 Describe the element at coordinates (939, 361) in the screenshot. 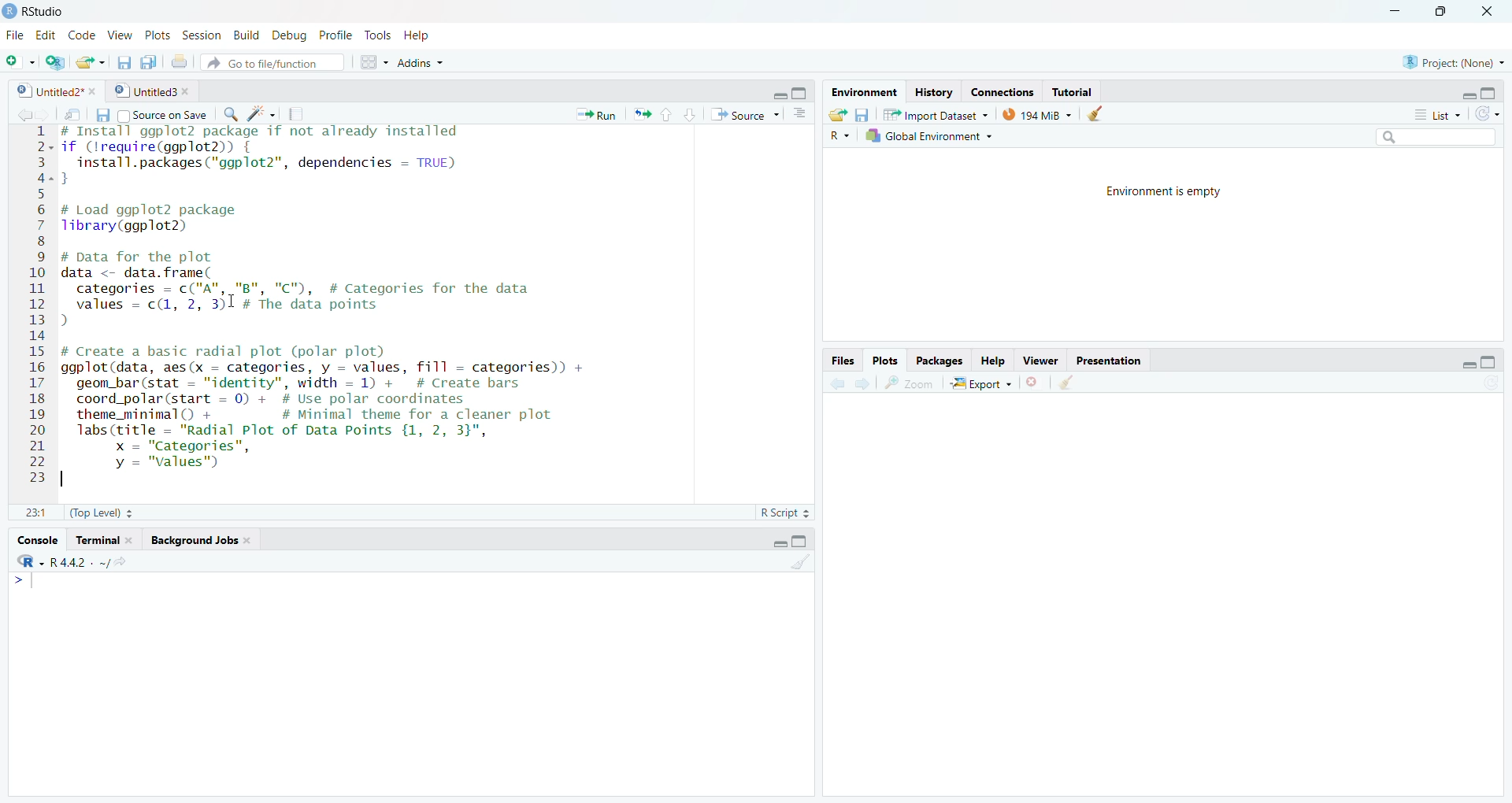

I see `Packages.` at that location.